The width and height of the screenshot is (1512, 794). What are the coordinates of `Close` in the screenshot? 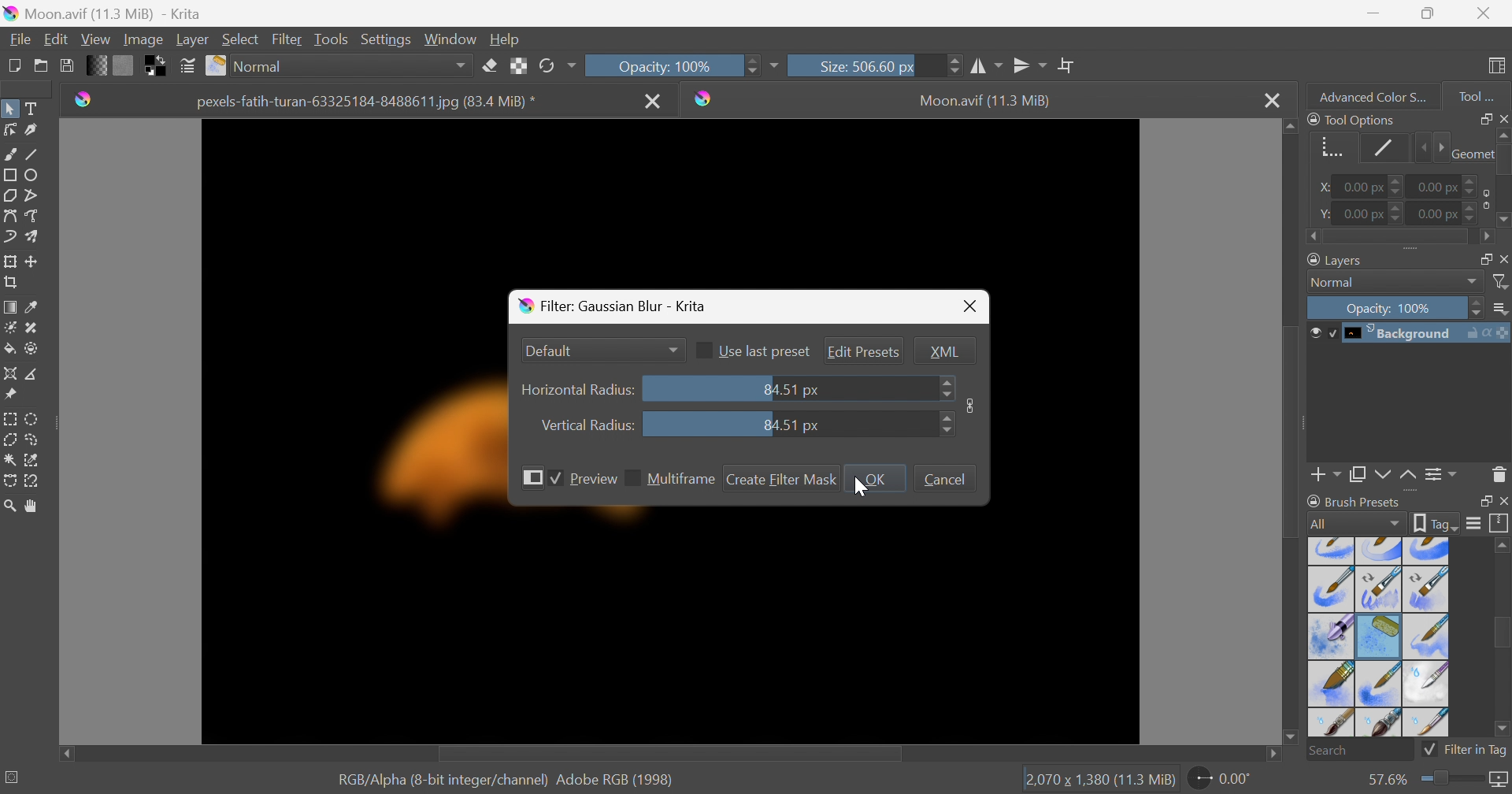 It's located at (1503, 258).